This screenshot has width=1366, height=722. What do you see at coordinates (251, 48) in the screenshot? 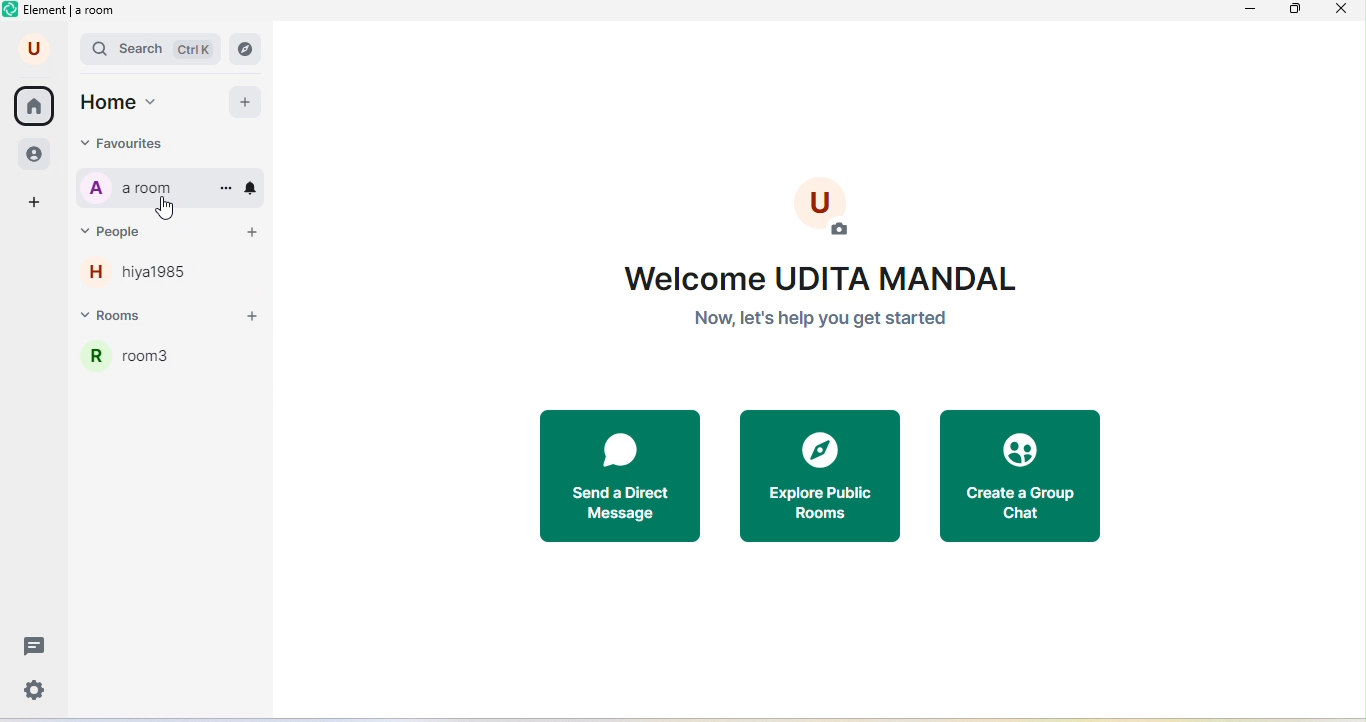
I see `navigator` at bounding box center [251, 48].